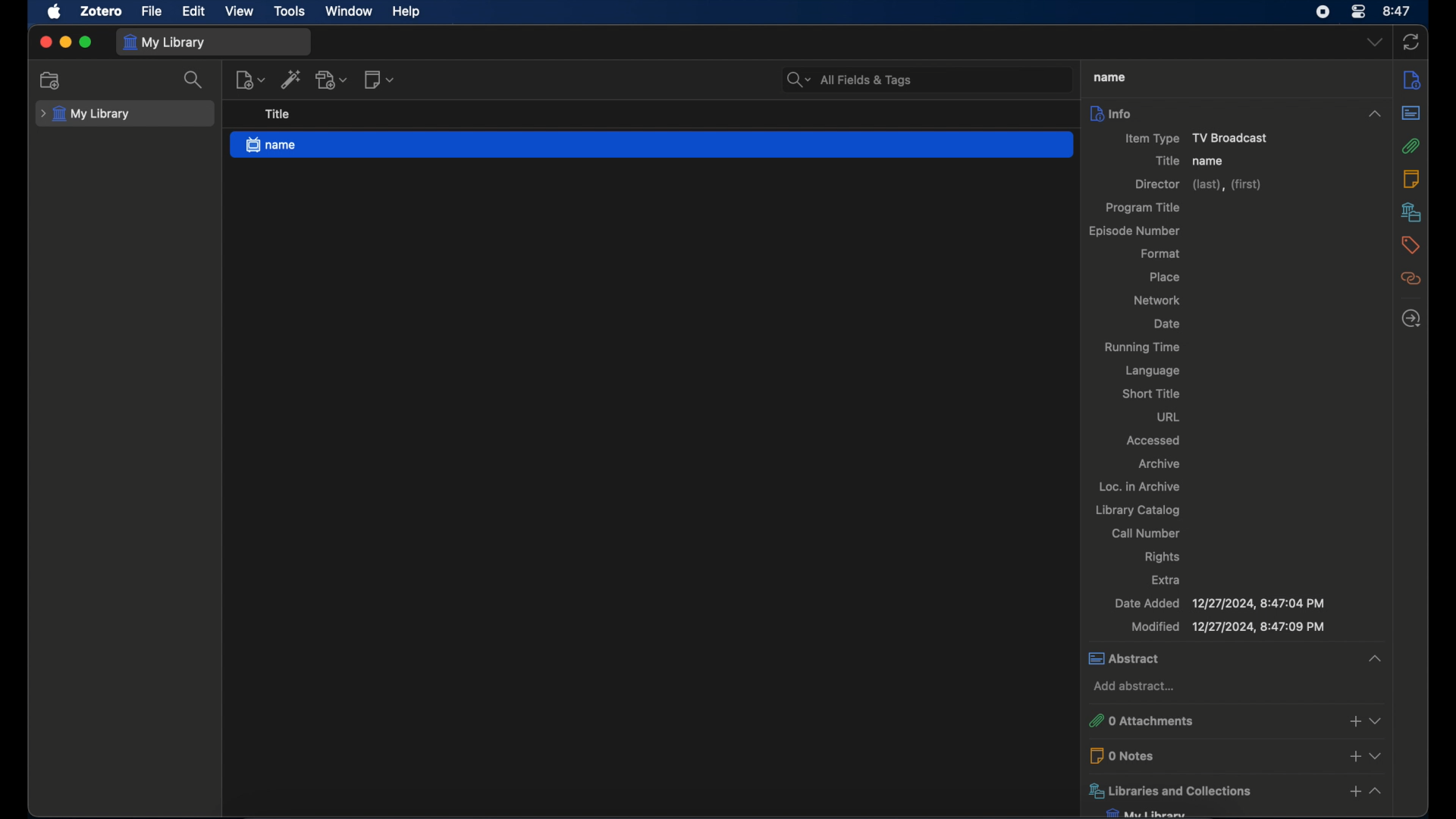  I want to click on screen recorder, so click(1323, 12).